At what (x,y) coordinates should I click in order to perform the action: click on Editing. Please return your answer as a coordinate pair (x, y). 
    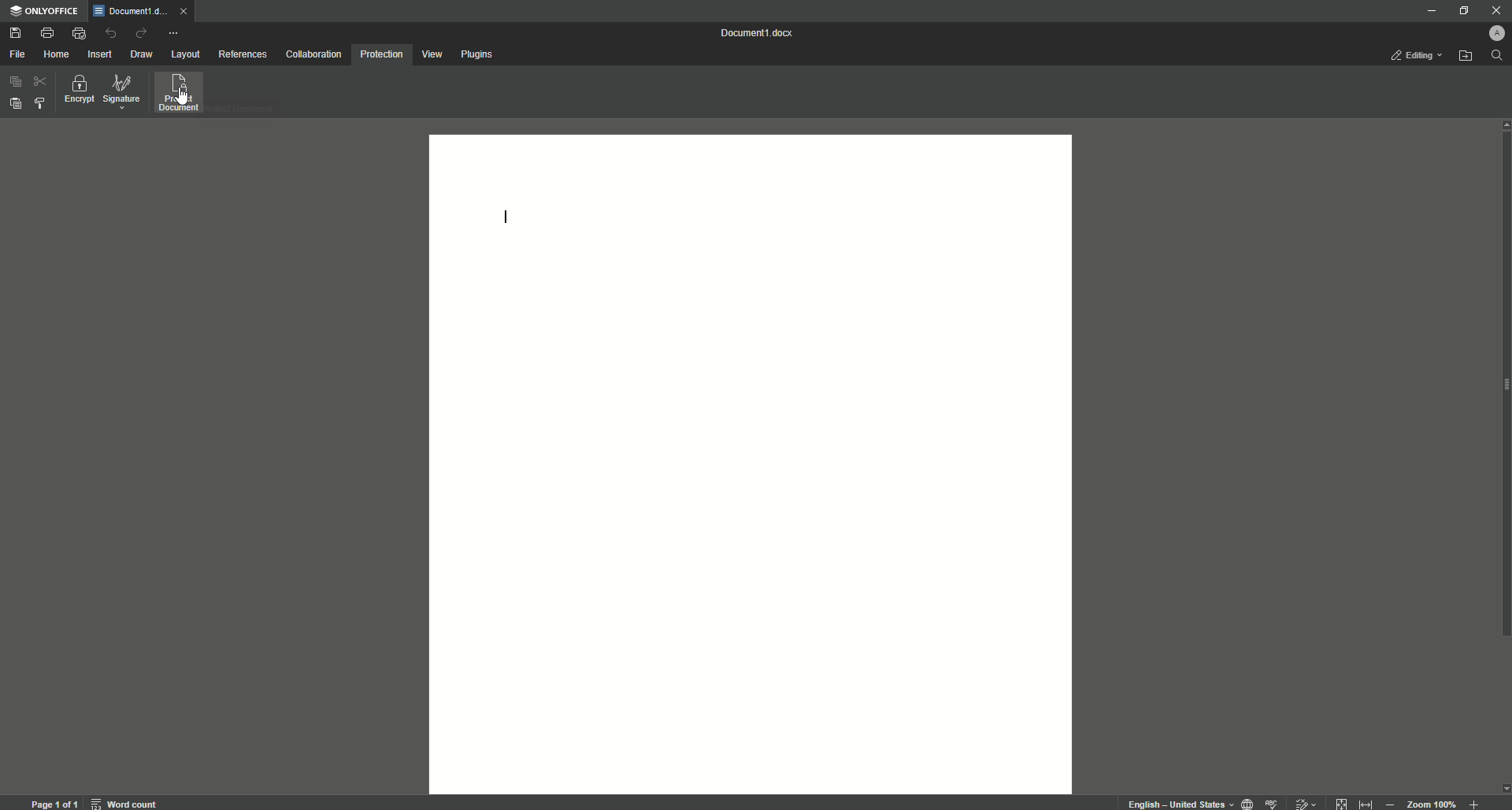
    Looking at the image, I should click on (1415, 57).